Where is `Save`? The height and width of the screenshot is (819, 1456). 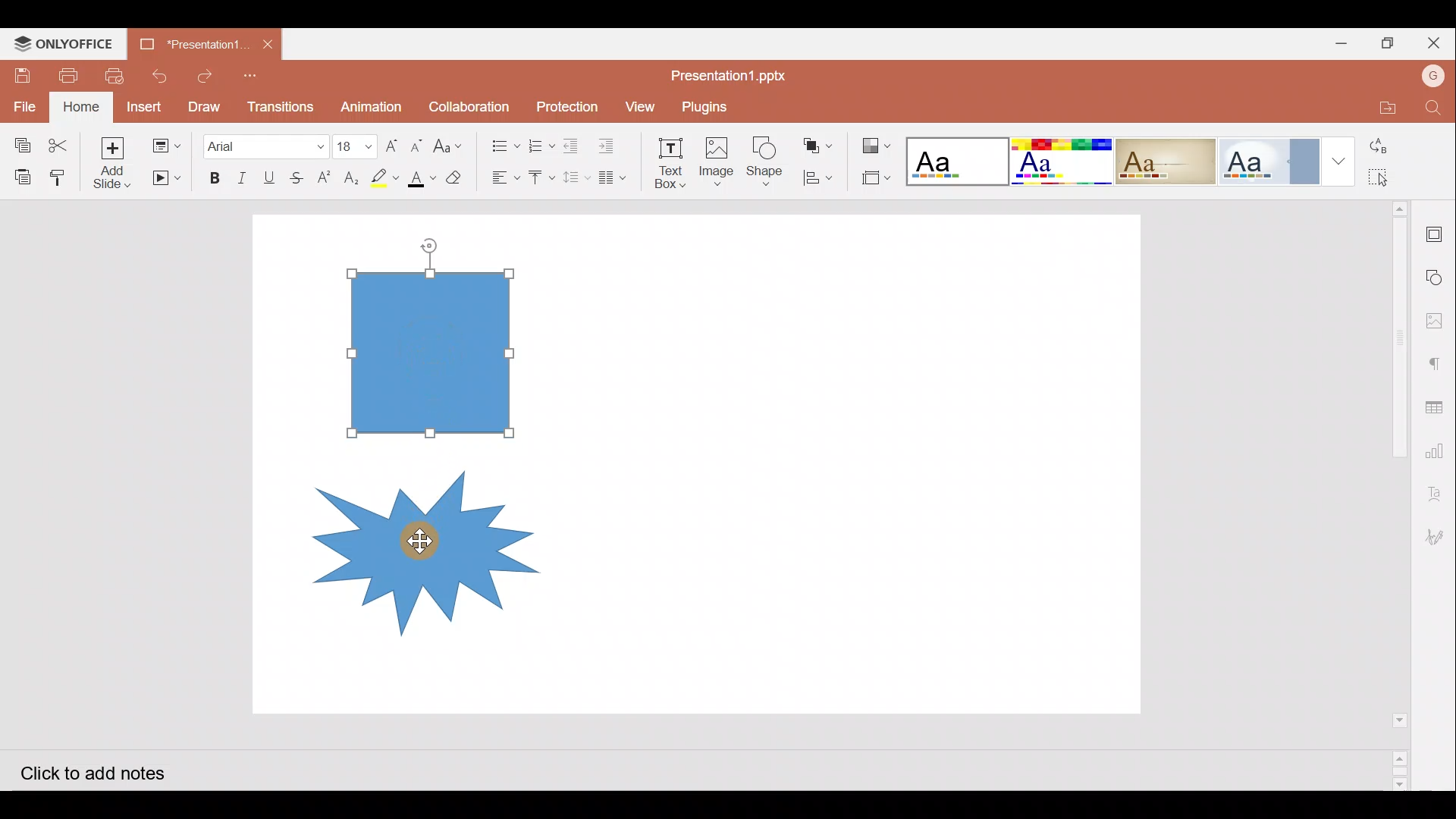 Save is located at coordinates (24, 71).